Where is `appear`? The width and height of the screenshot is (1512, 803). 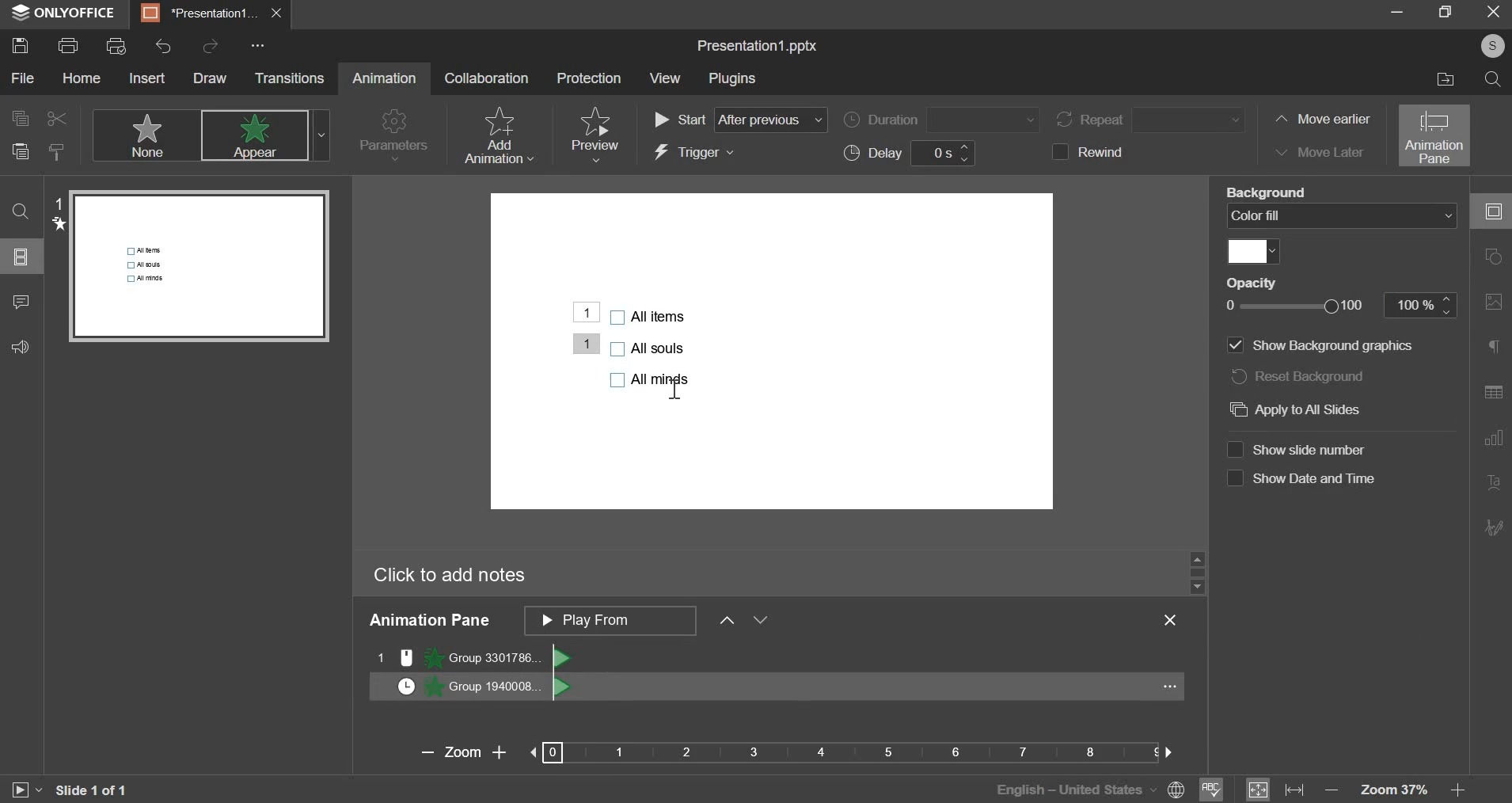 appear is located at coordinates (264, 136).